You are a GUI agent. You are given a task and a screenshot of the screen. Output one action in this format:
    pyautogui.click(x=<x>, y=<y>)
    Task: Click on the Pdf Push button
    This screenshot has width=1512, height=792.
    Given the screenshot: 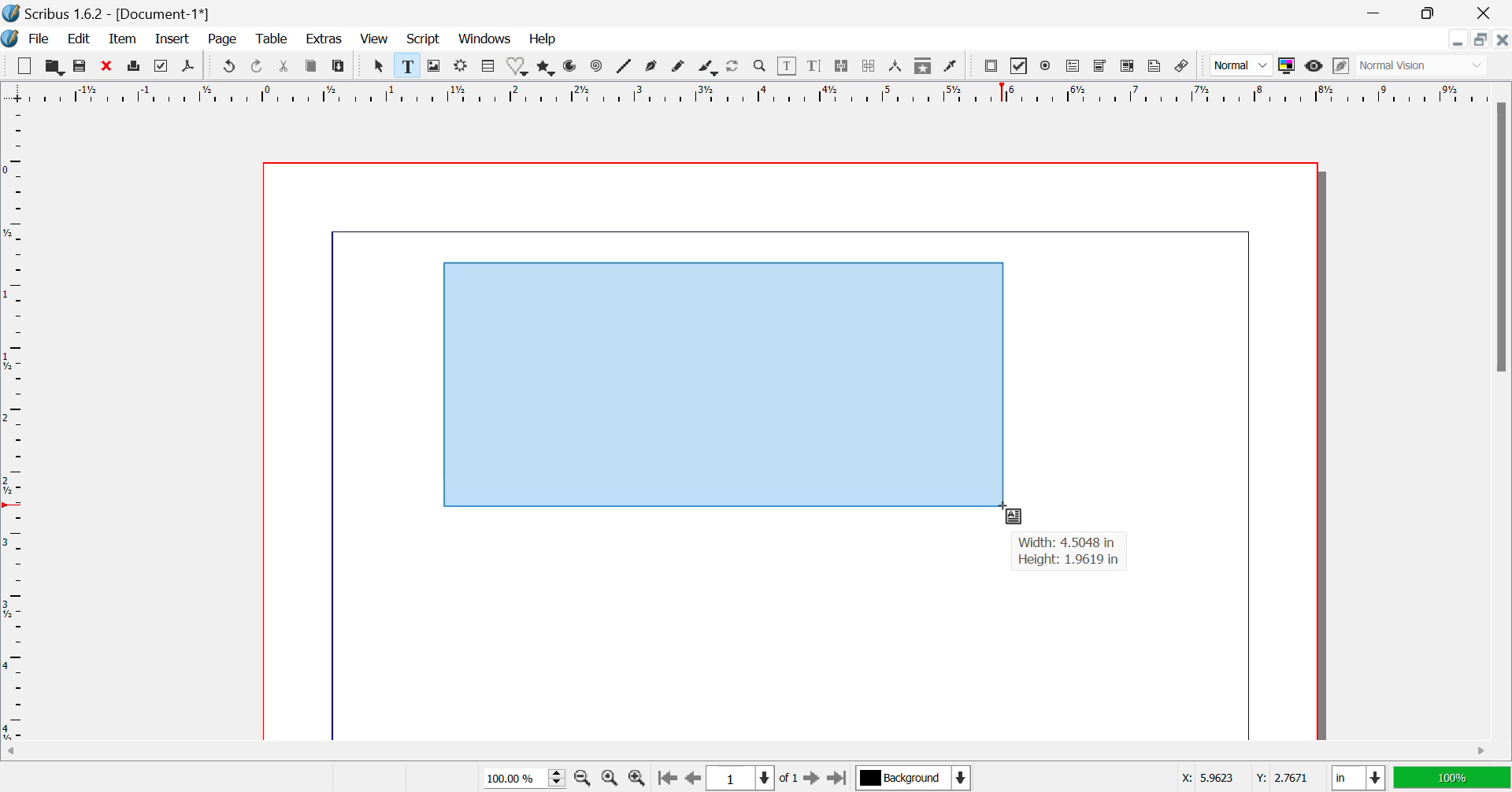 What is the action you would take?
    pyautogui.click(x=991, y=68)
    